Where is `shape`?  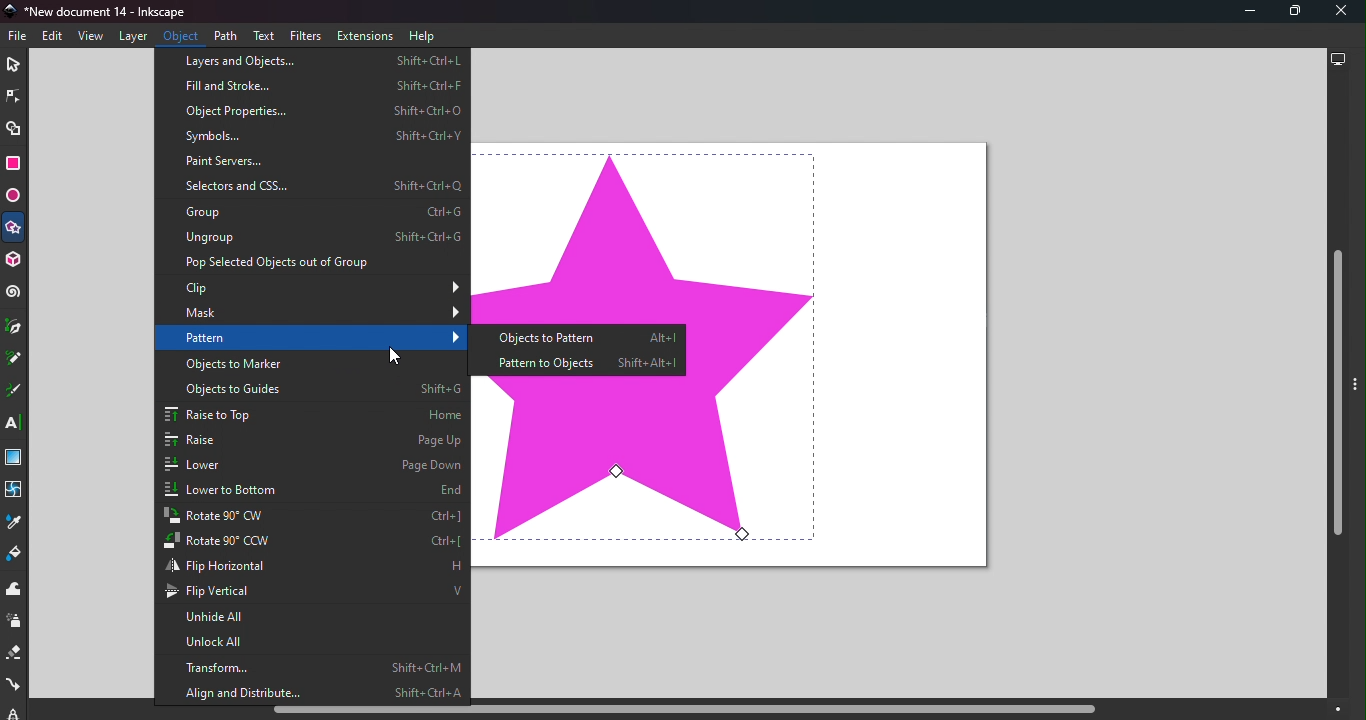 shape is located at coordinates (582, 459).